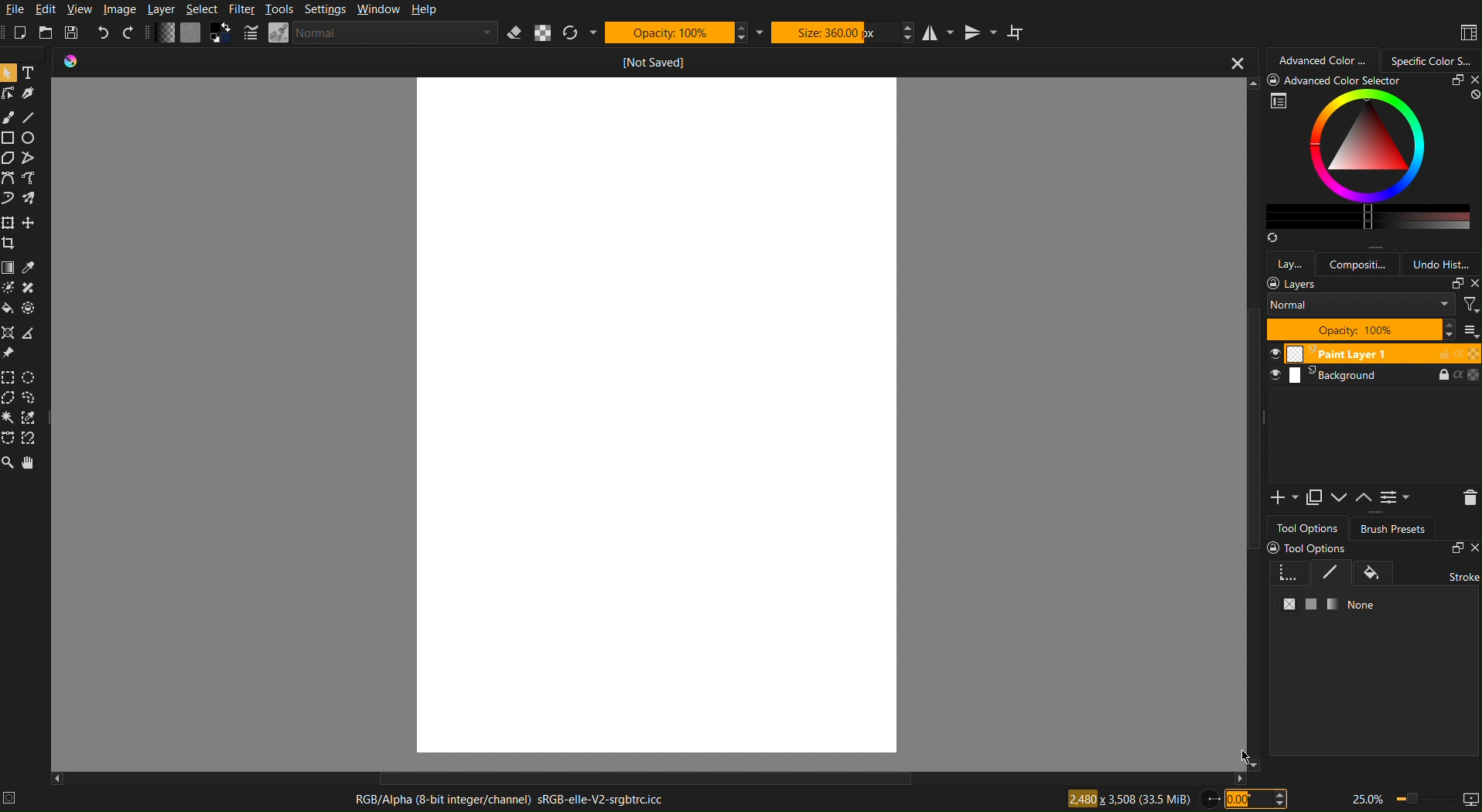  What do you see at coordinates (982, 33) in the screenshot?
I see `Vertical Mirror` at bounding box center [982, 33].